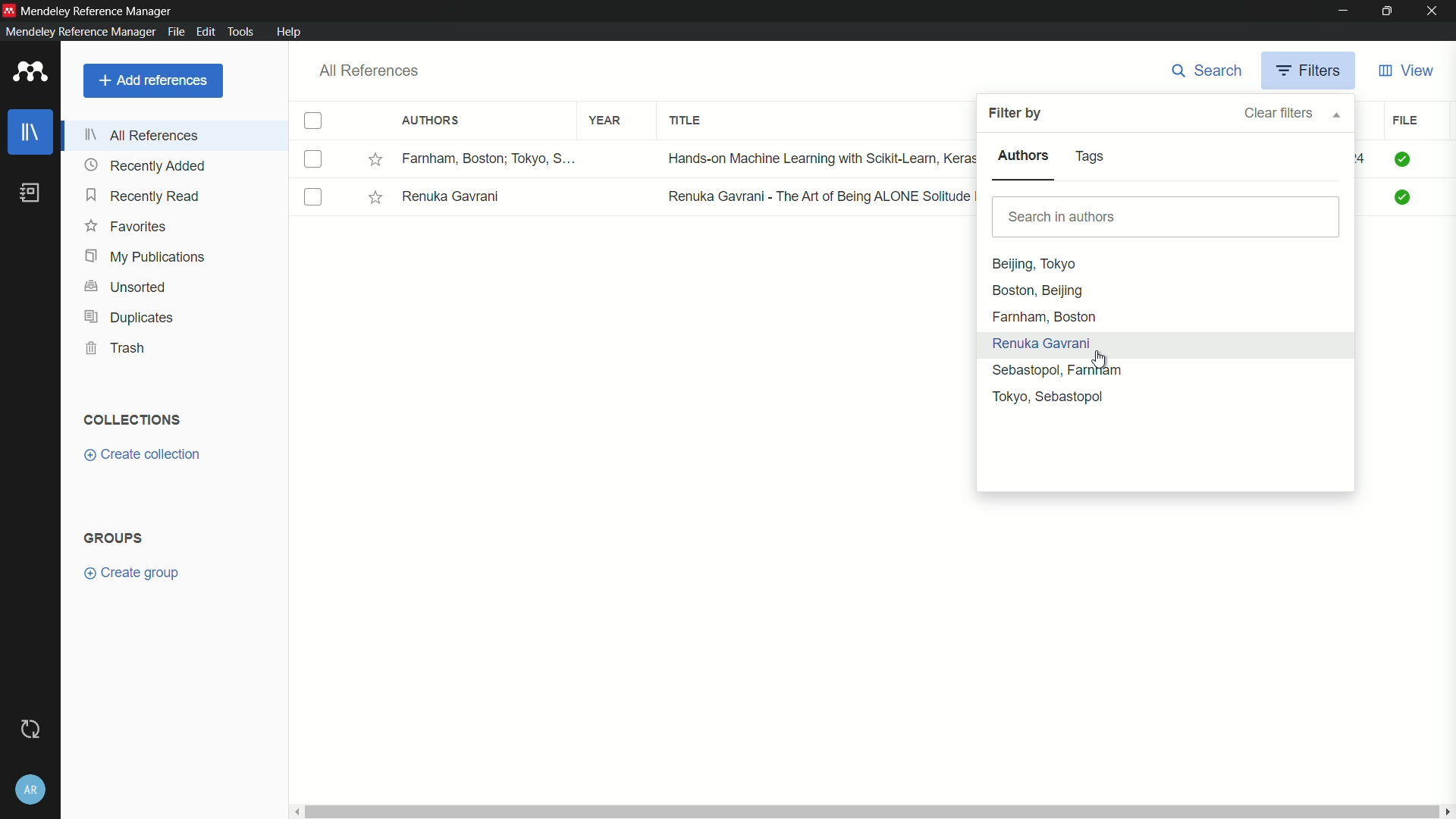 The width and height of the screenshot is (1456, 819). Describe the element at coordinates (30, 192) in the screenshot. I see `book` at that location.